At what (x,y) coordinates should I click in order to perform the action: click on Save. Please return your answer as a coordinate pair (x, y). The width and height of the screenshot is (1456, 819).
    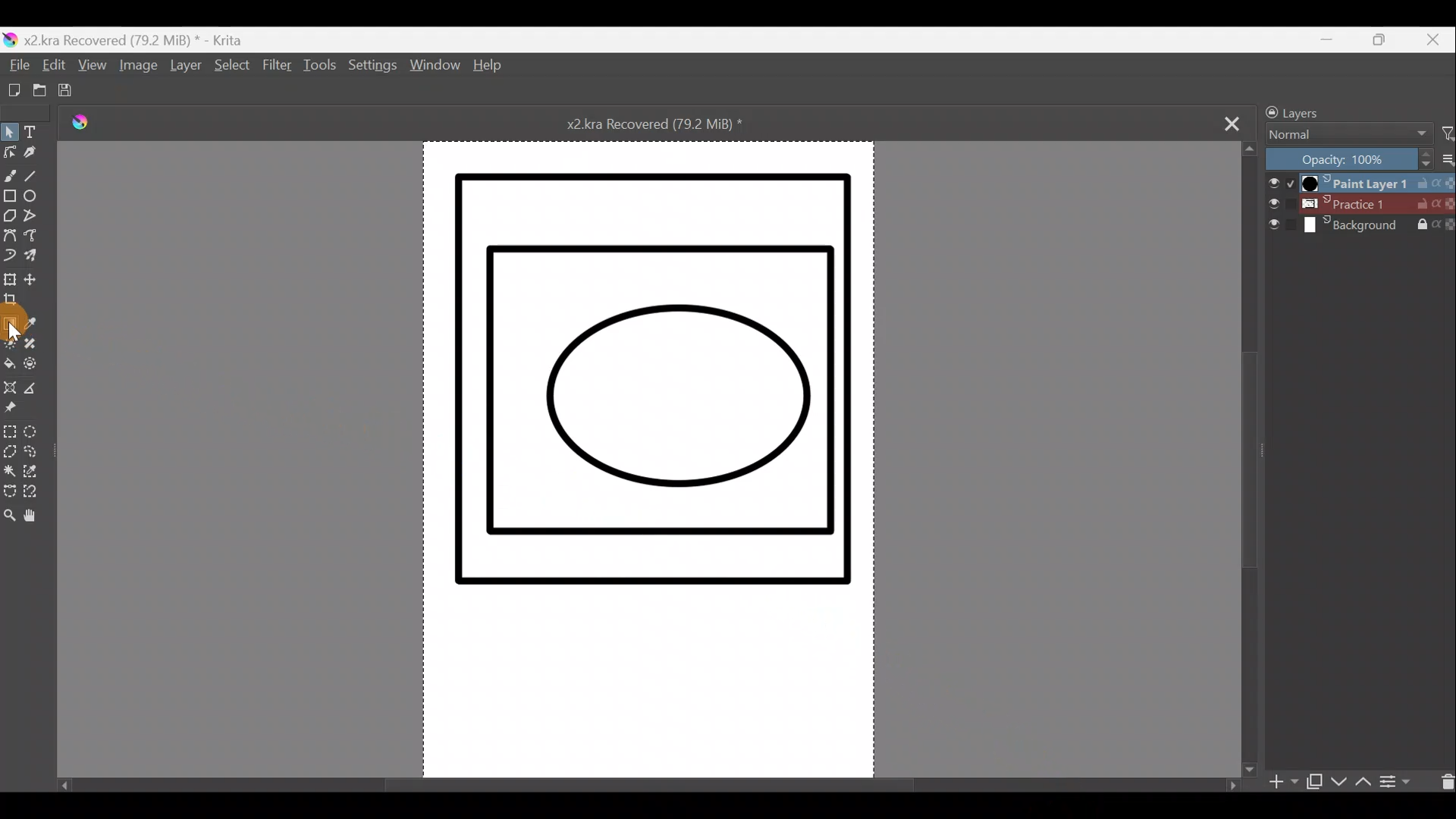
    Looking at the image, I should click on (72, 92).